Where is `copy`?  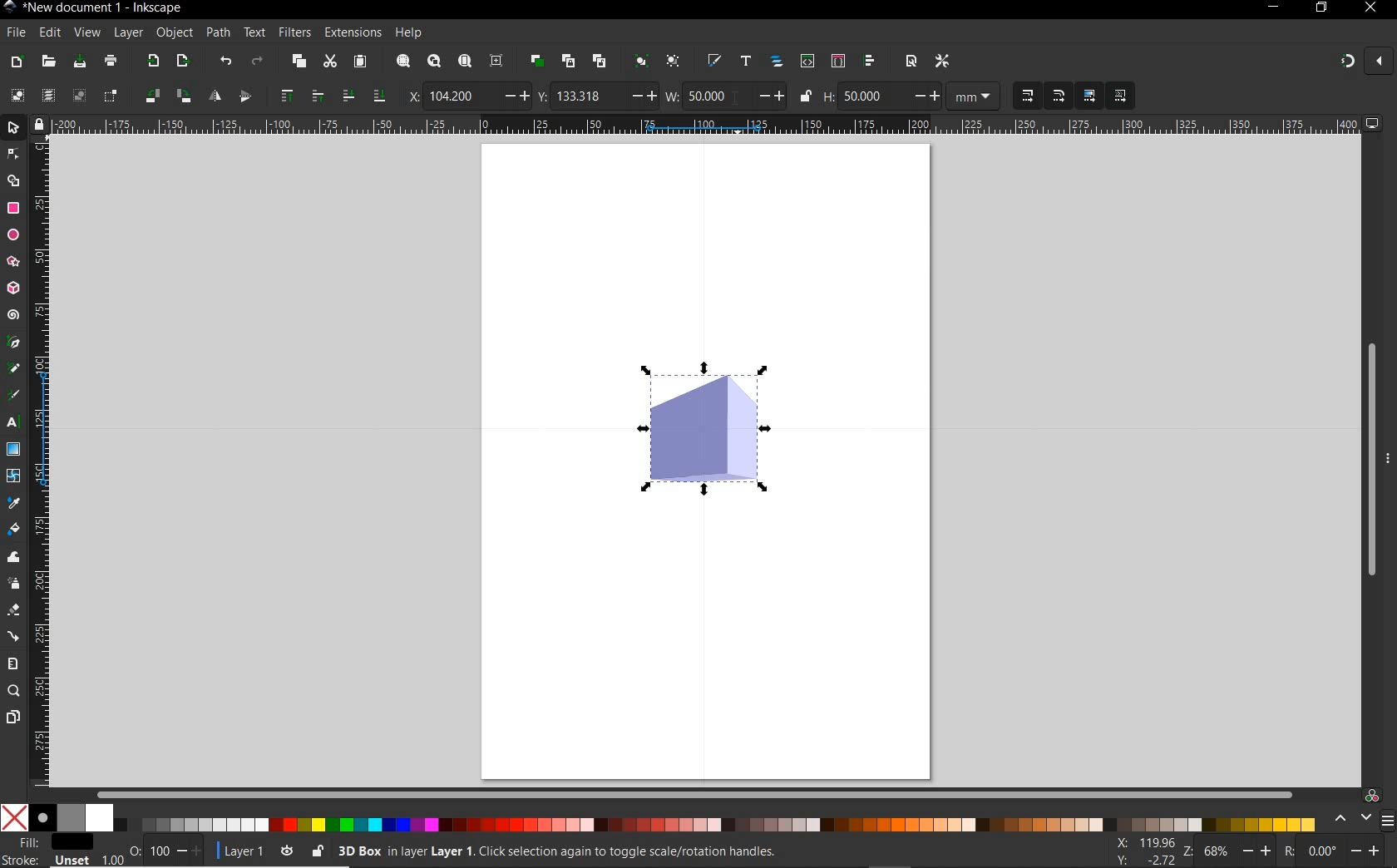 copy is located at coordinates (298, 61).